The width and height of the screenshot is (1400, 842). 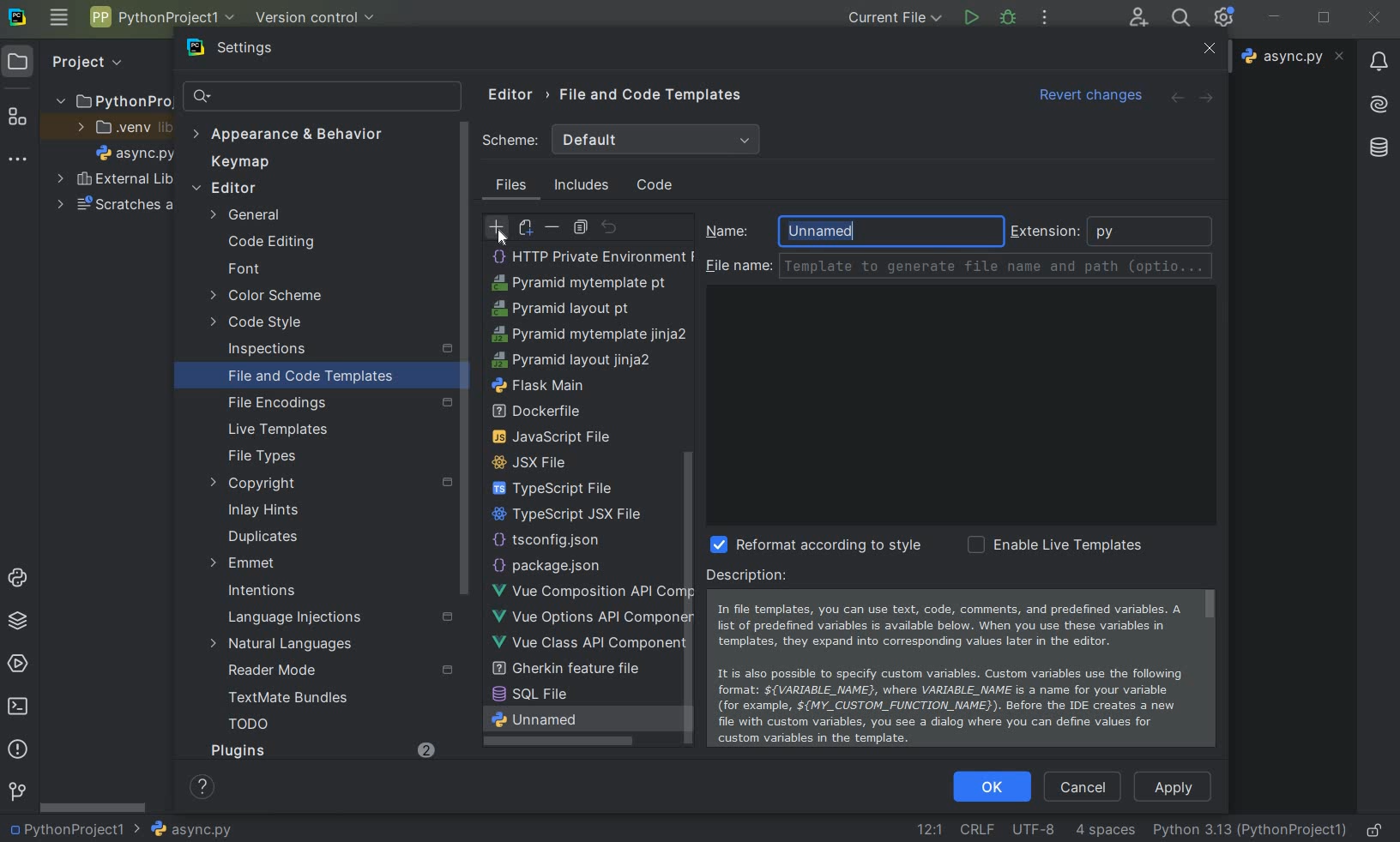 I want to click on database, so click(x=1379, y=153).